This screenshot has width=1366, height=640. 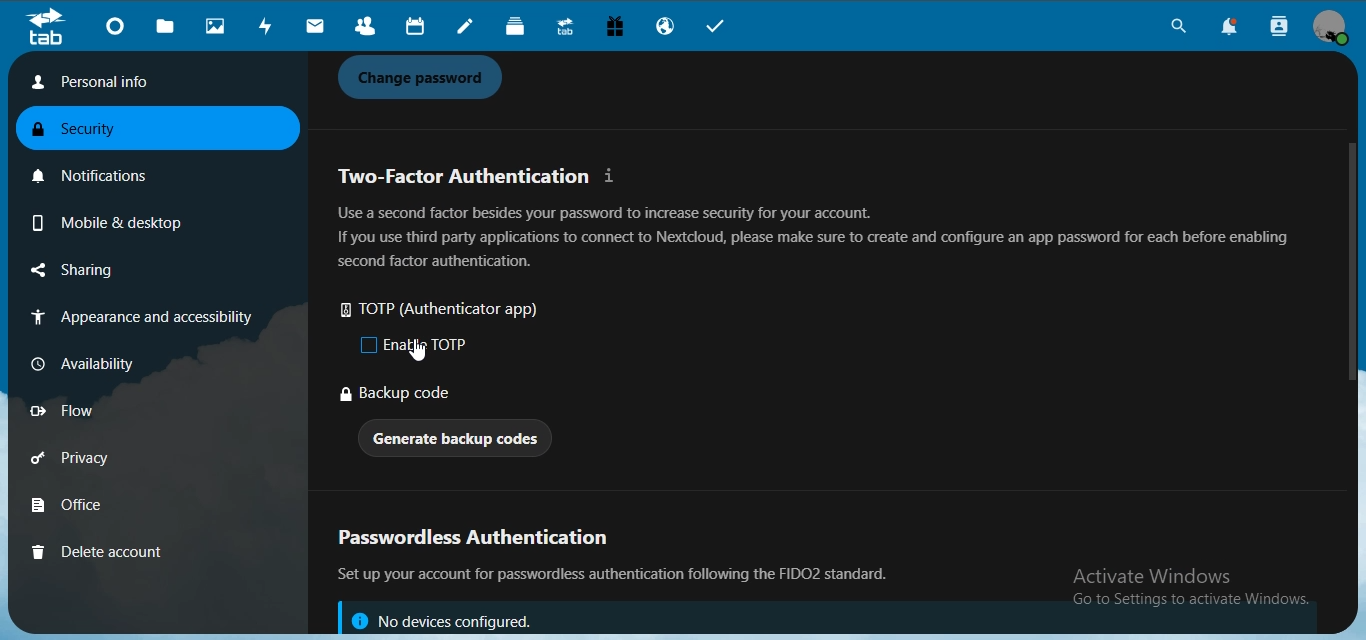 What do you see at coordinates (520, 28) in the screenshot?
I see `deck` at bounding box center [520, 28].